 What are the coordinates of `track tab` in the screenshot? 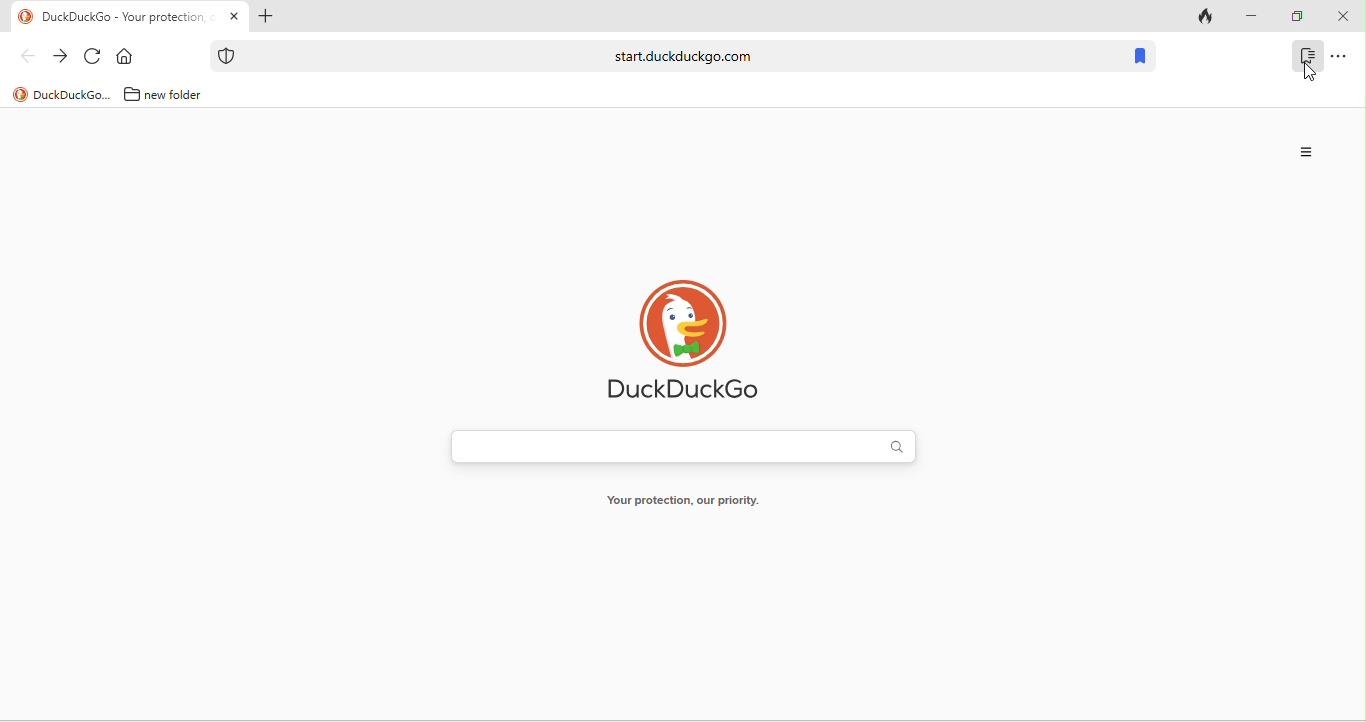 It's located at (1208, 18).